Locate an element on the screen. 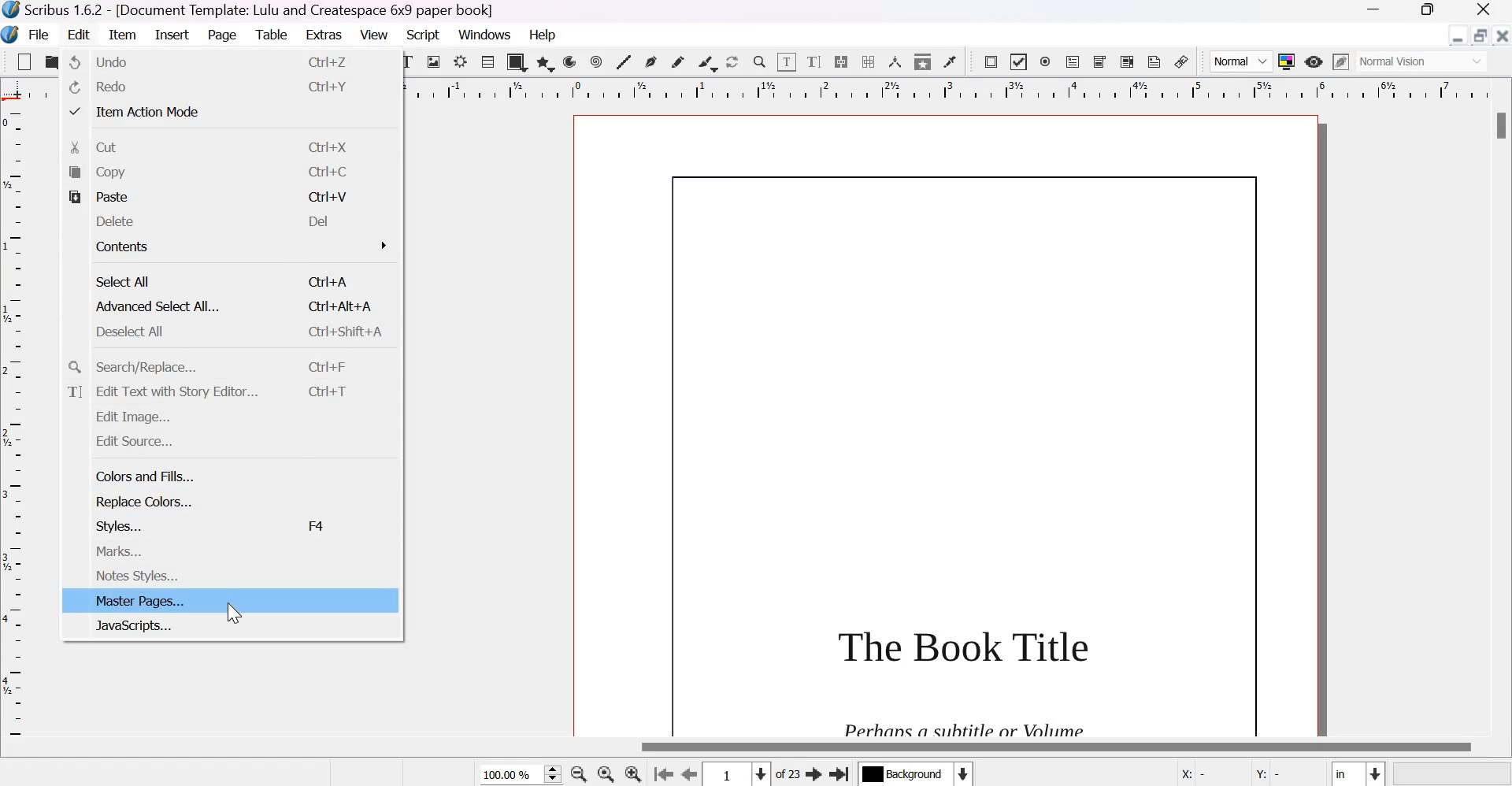 The height and width of the screenshot is (786, 1512). Eye dropper is located at coordinates (952, 63).